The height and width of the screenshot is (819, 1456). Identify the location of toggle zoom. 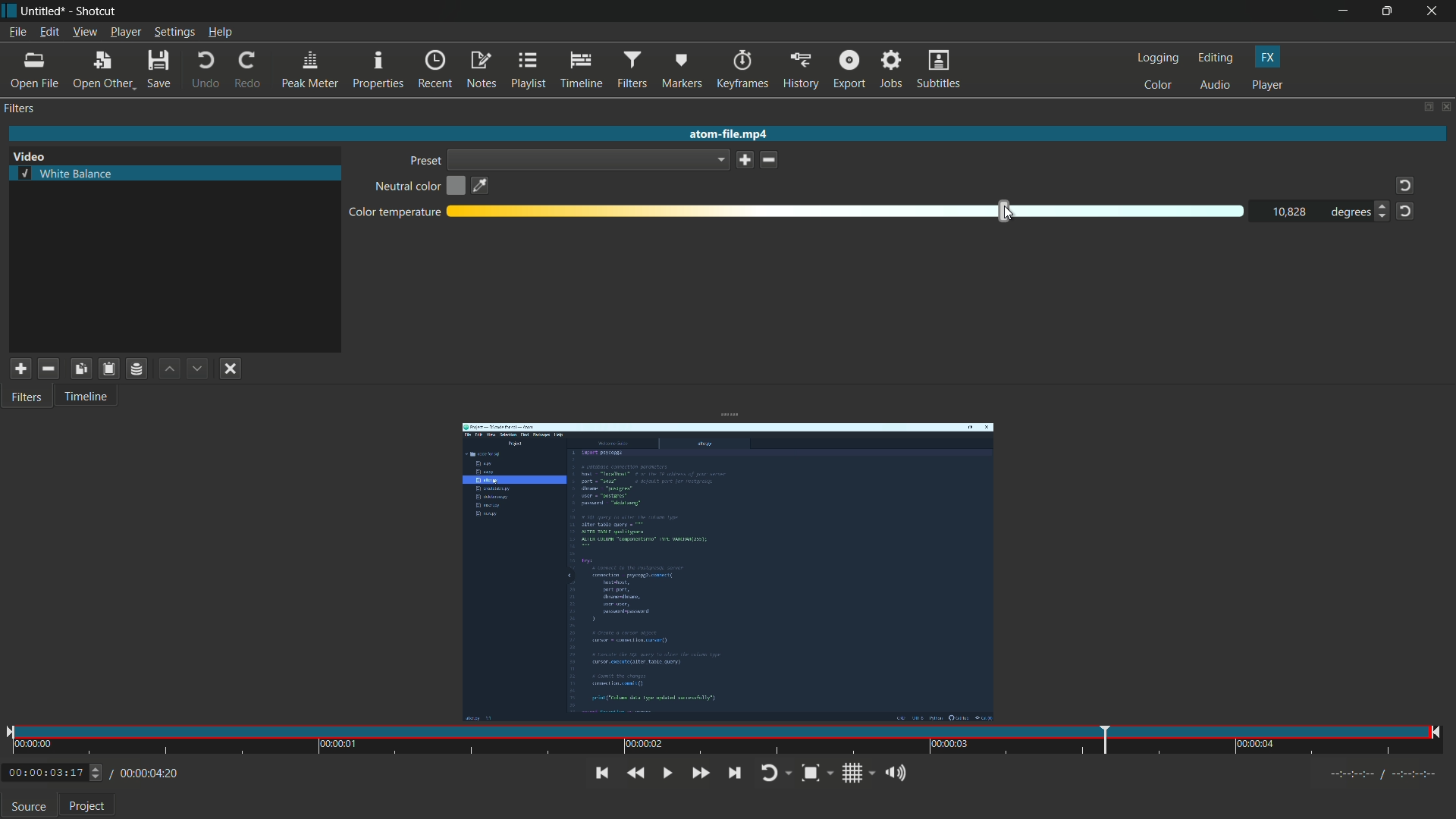
(817, 773).